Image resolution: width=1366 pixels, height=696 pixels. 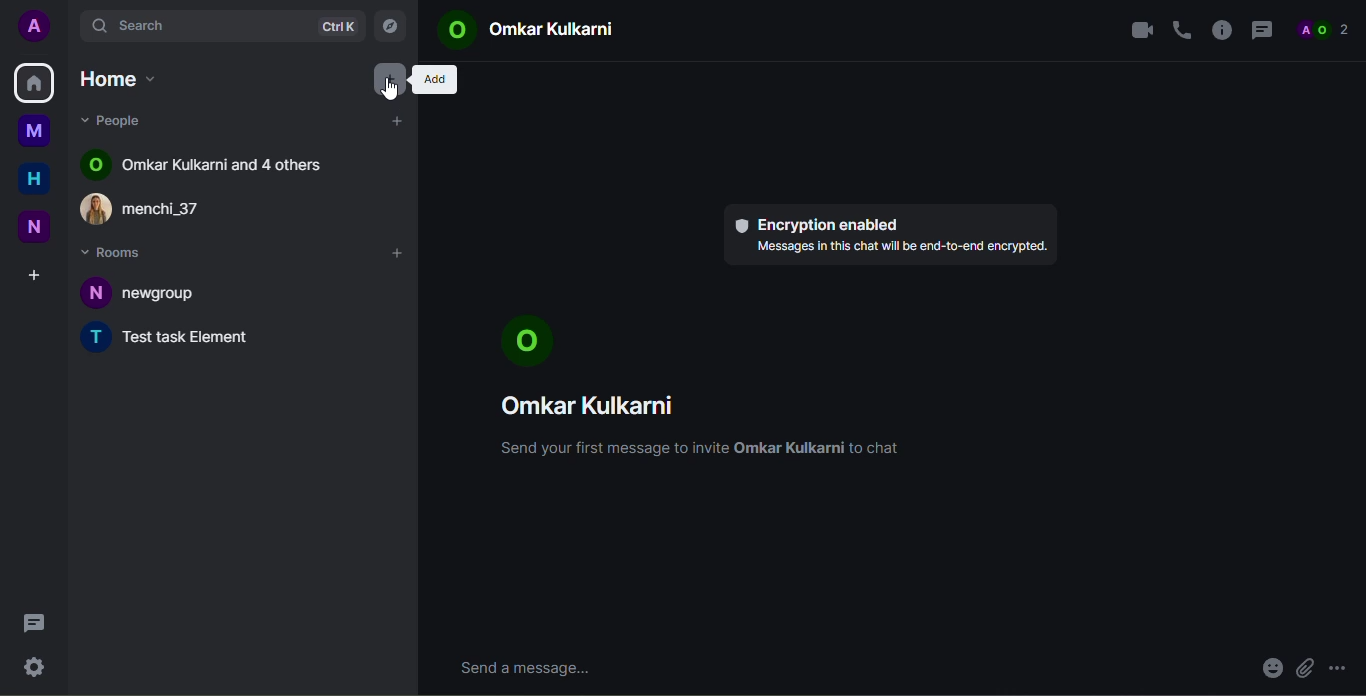 What do you see at coordinates (115, 251) in the screenshot?
I see `rooms` at bounding box center [115, 251].